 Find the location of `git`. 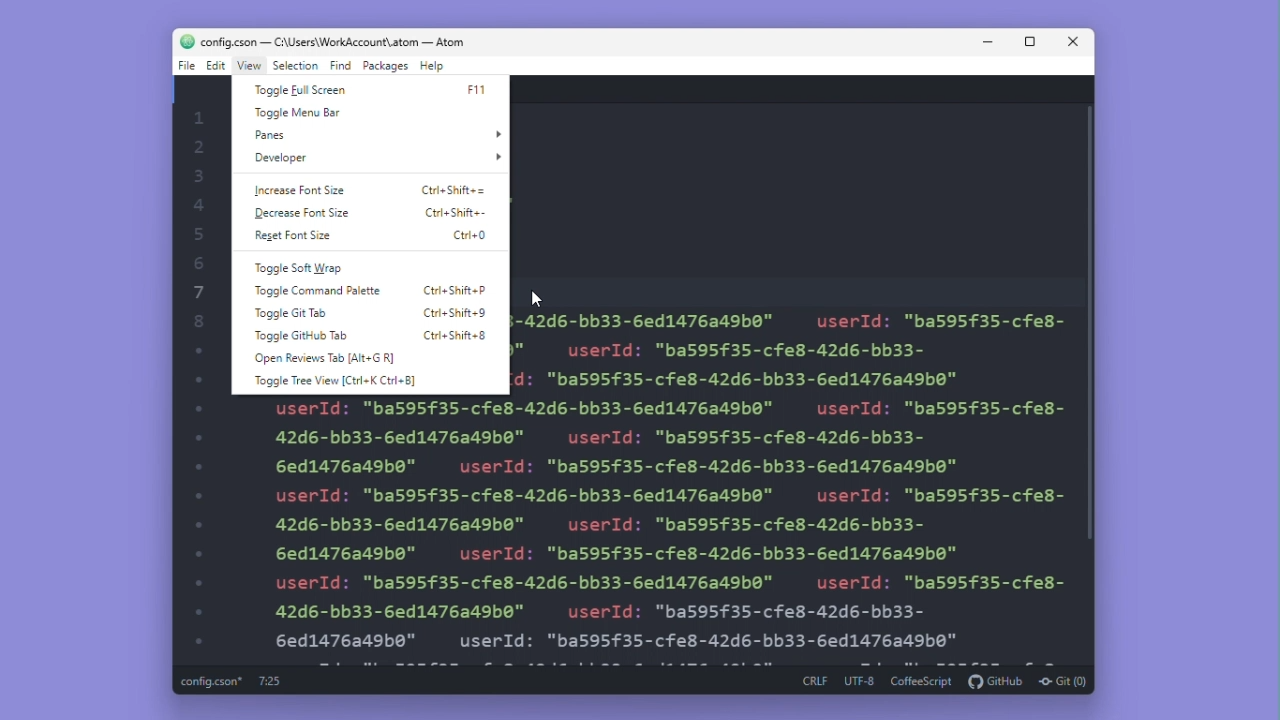

git is located at coordinates (1064, 680).